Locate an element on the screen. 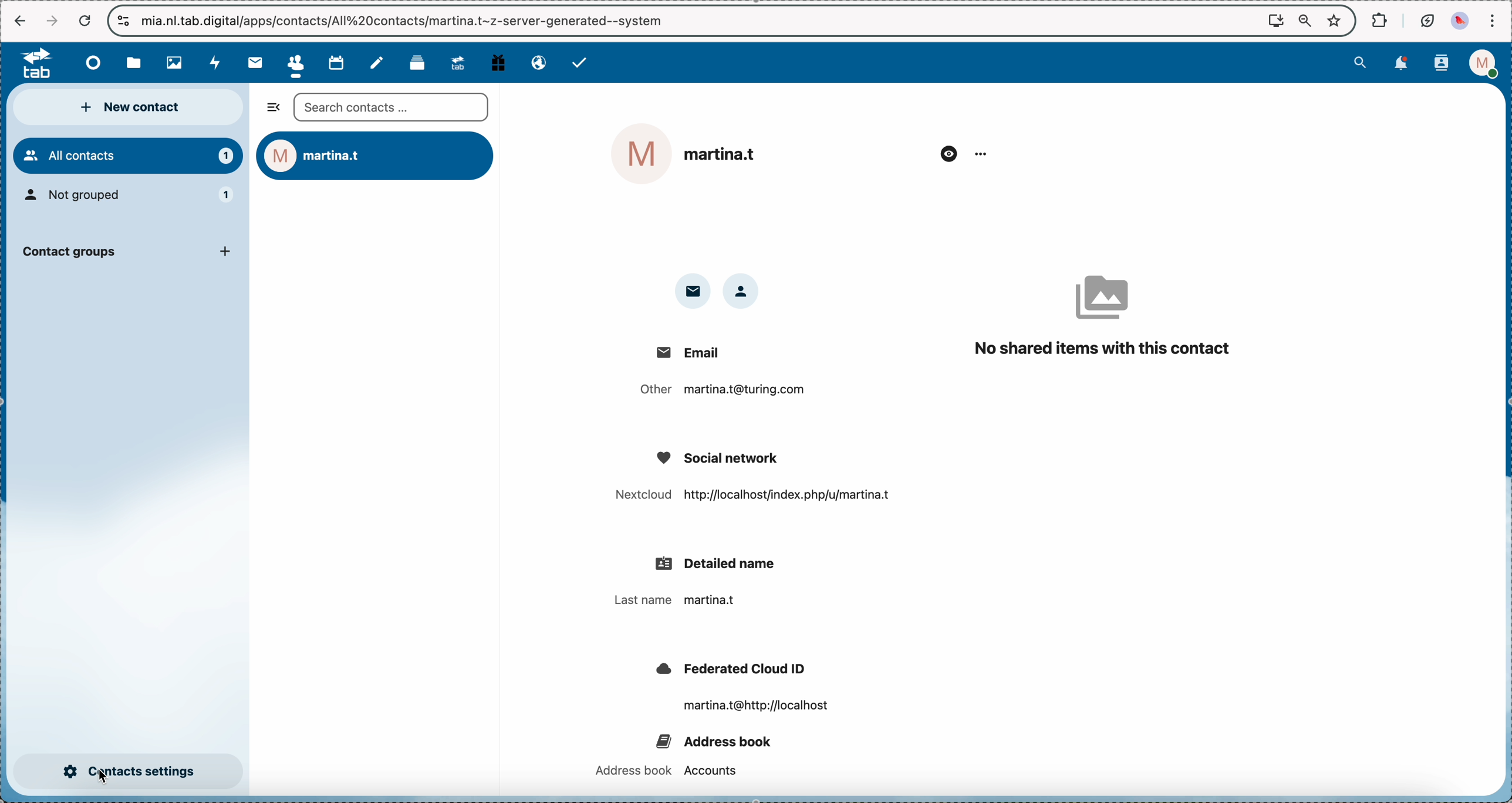  visible is located at coordinates (947, 151).